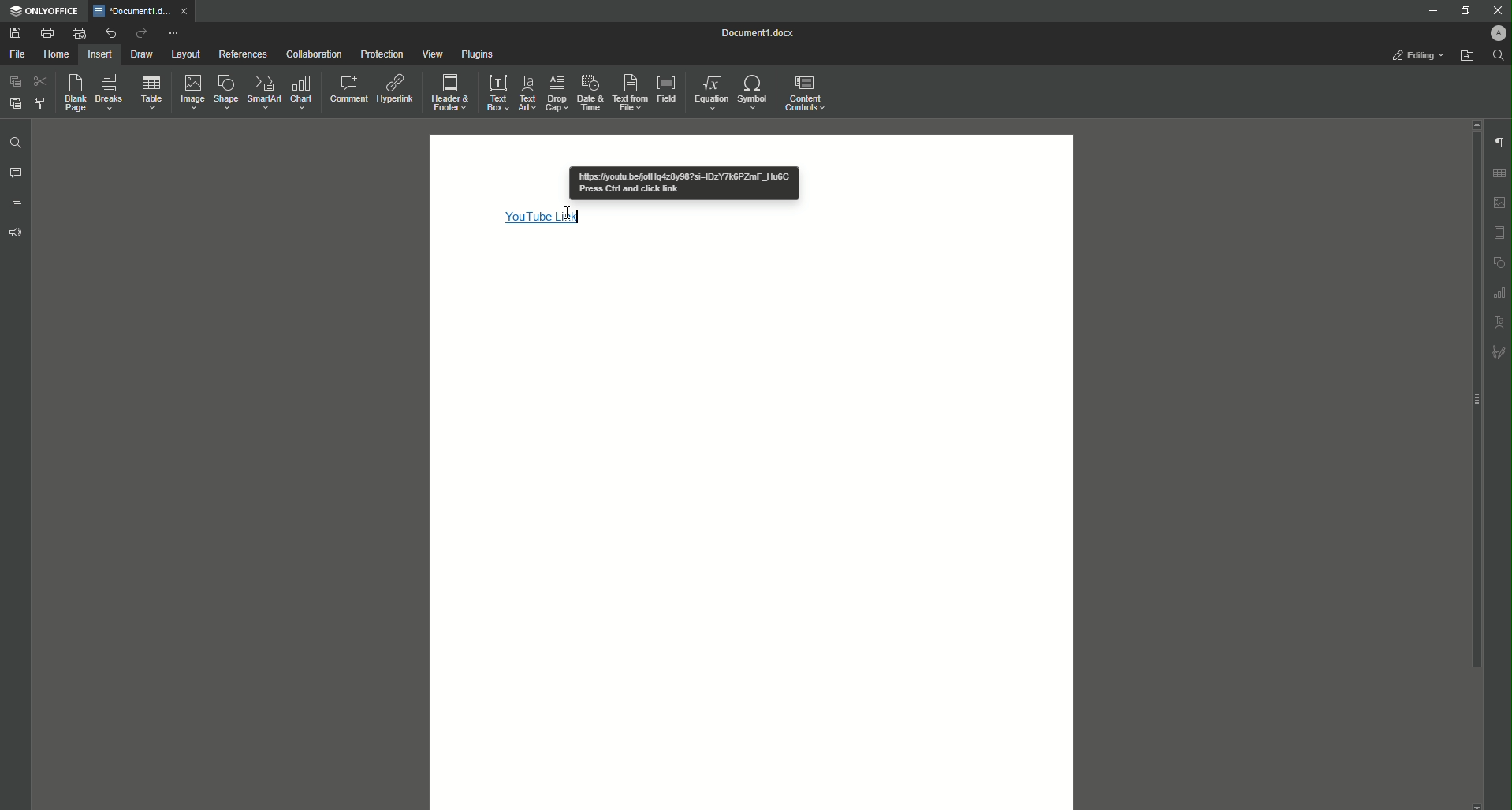  I want to click on References, so click(243, 54).